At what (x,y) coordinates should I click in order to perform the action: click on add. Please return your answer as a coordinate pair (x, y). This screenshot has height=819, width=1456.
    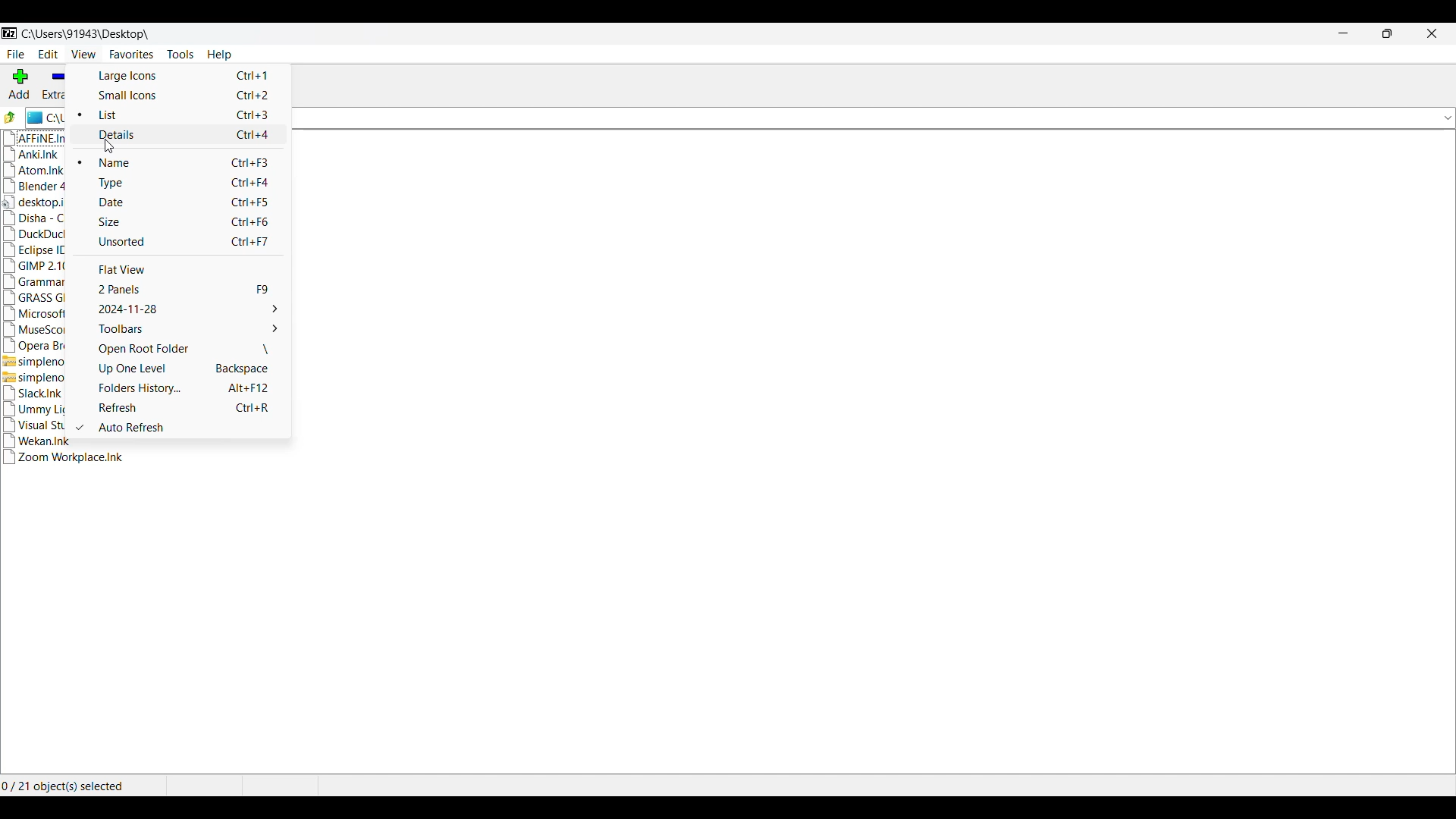
    Looking at the image, I should click on (22, 84).